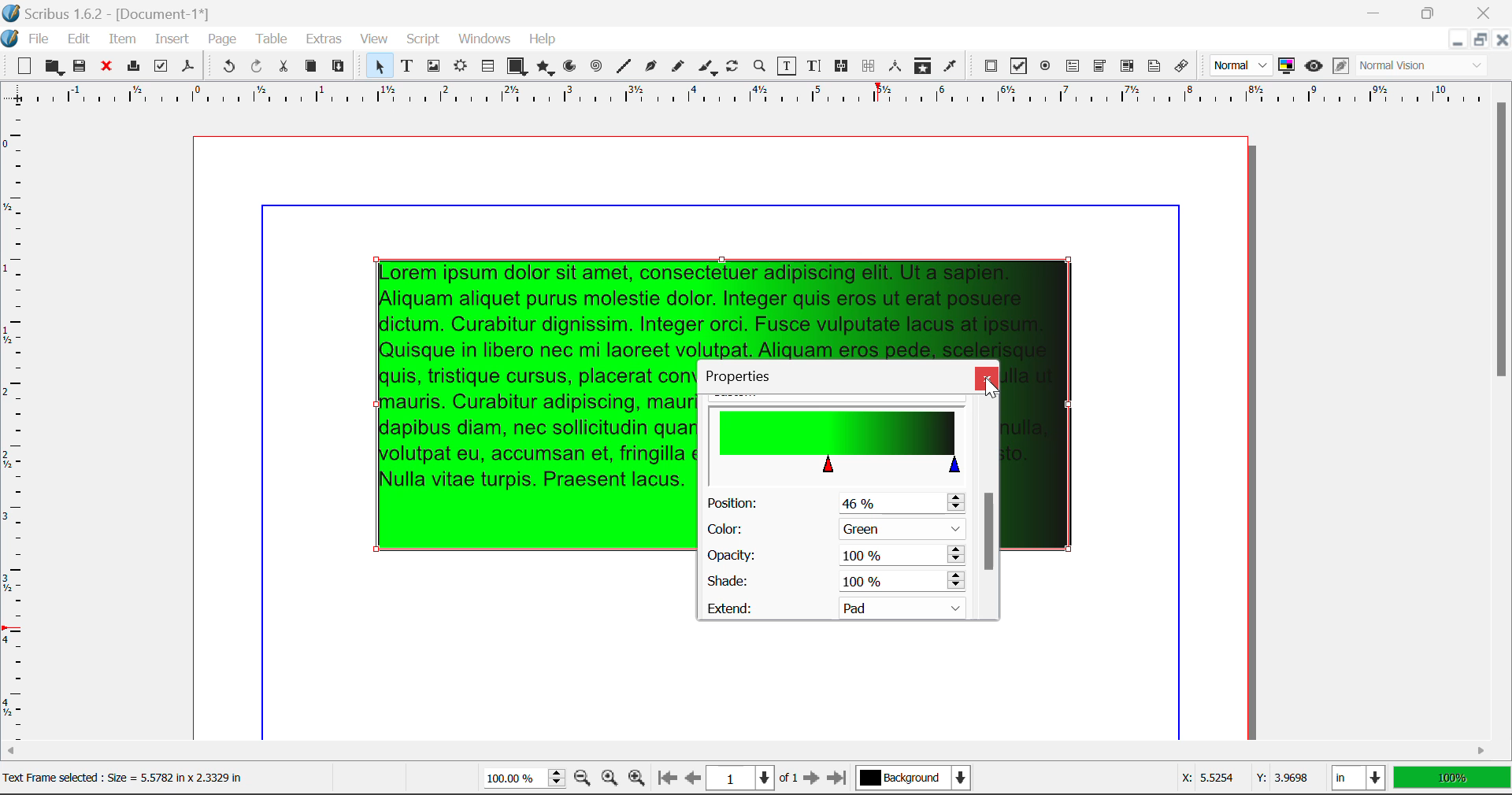  What do you see at coordinates (374, 39) in the screenshot?
I see `View` at bounding box center [374, 39].